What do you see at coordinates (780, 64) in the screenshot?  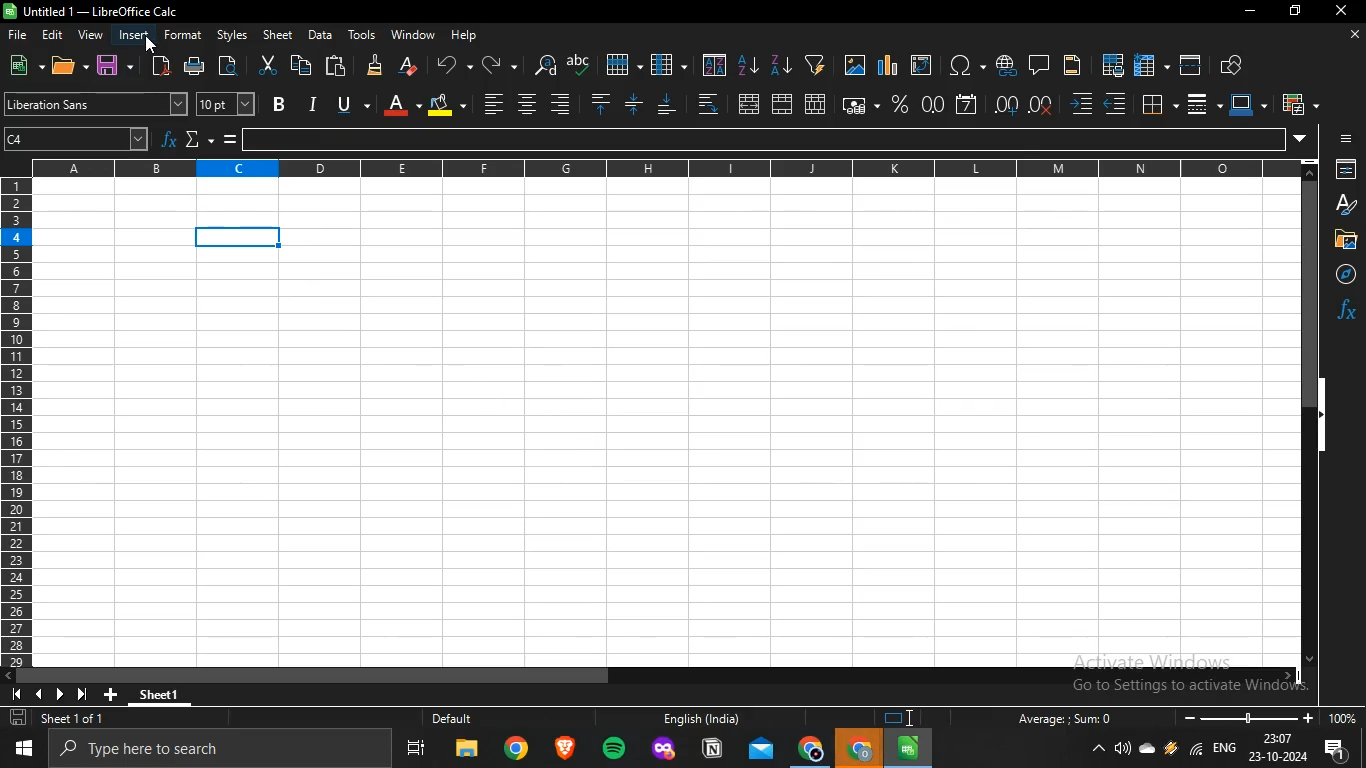 I see `sort descending` at bounding box center [780, 64].